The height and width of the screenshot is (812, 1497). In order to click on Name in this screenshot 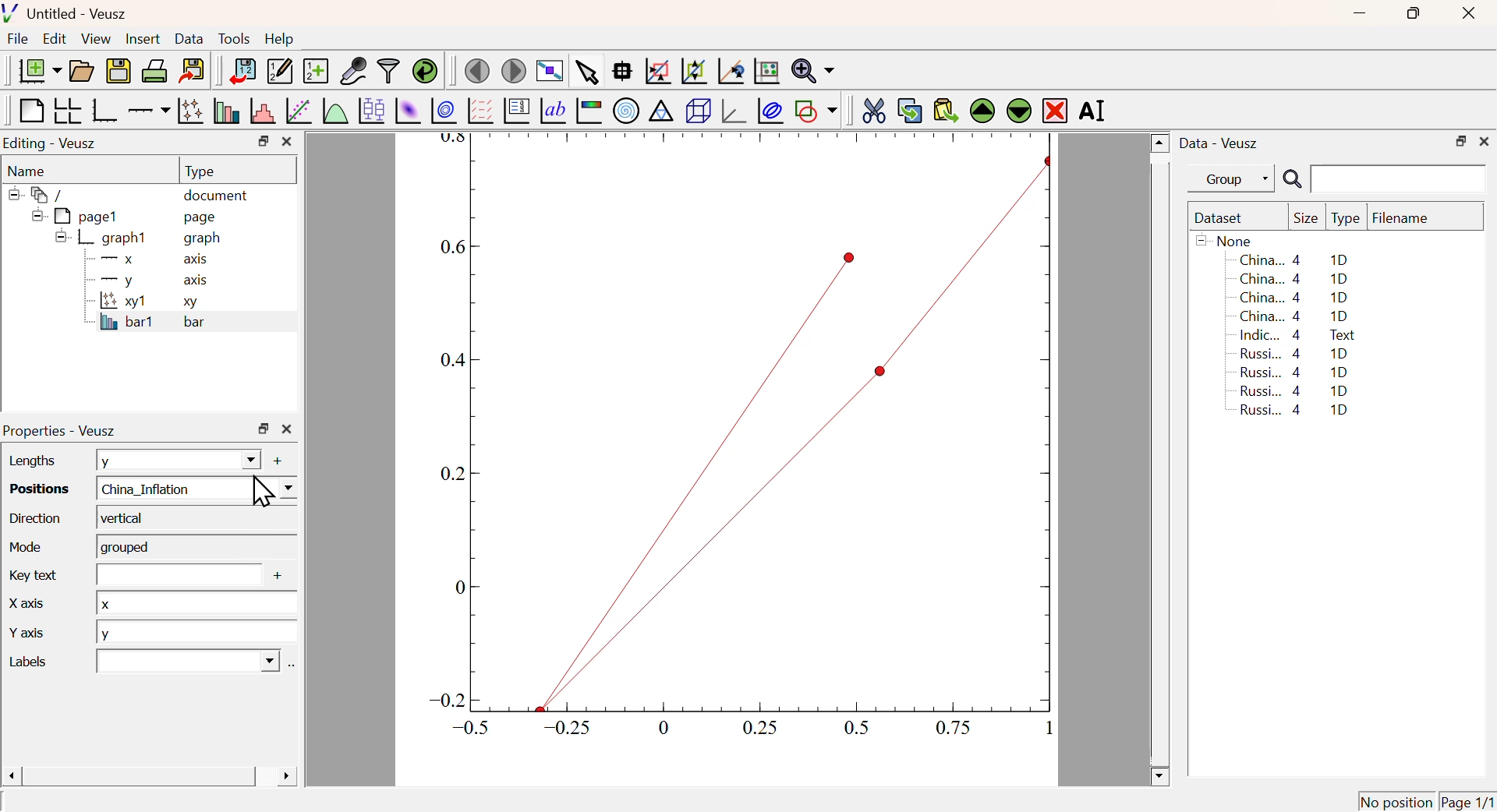, I will do `click(28, 171)`.